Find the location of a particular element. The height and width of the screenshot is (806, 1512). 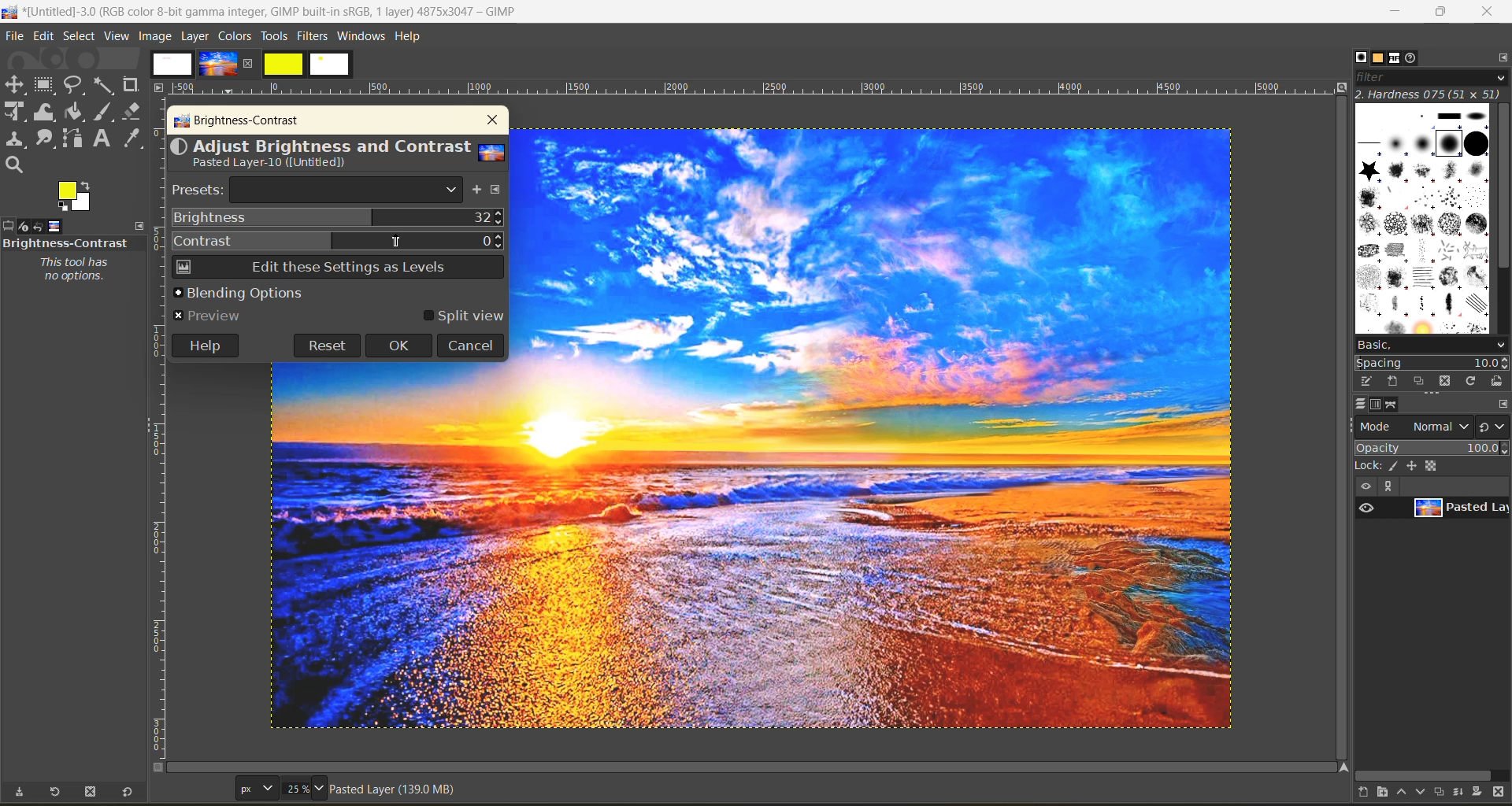

edit these settings as levels is located at coordinates (336, 269).